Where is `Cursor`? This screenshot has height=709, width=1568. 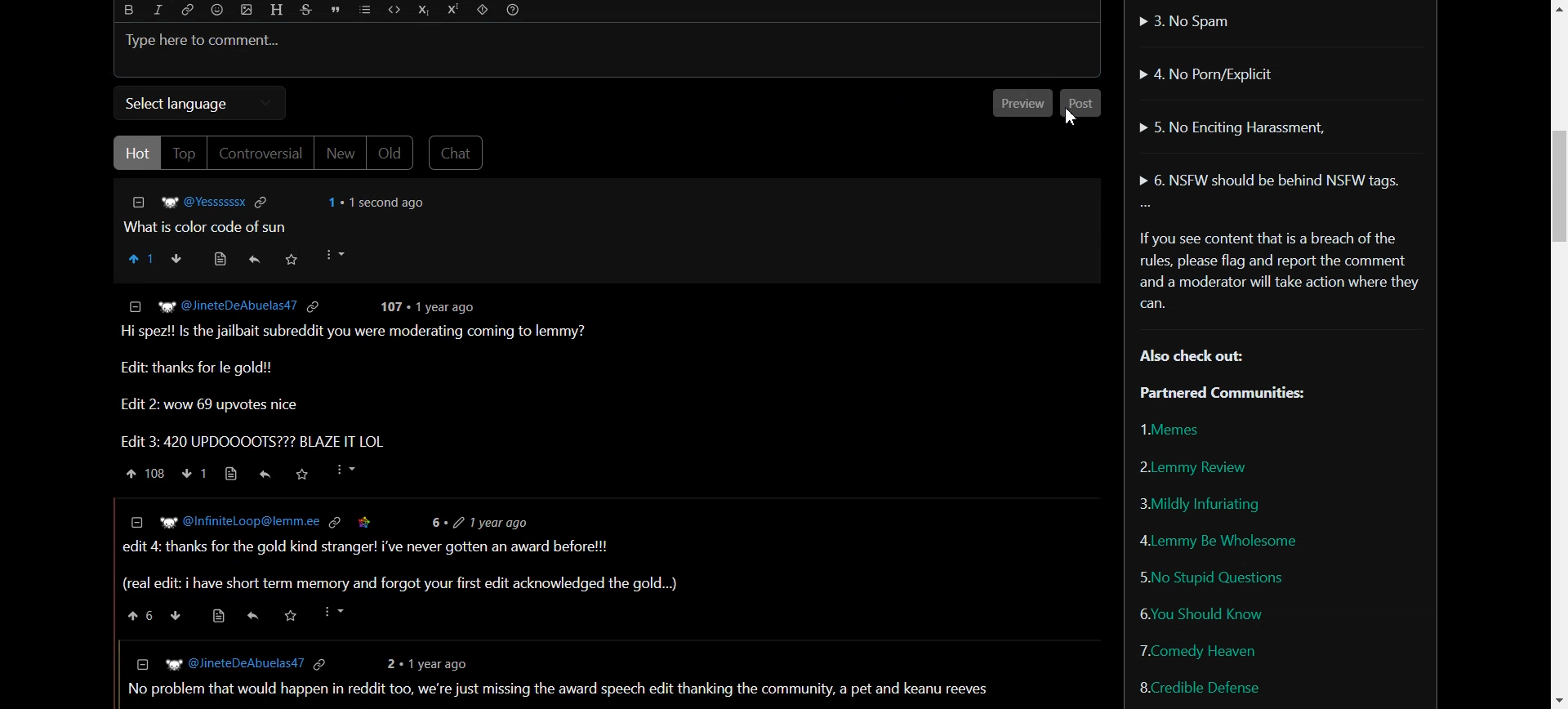 Cursor is located at coordinates (1071, 118).